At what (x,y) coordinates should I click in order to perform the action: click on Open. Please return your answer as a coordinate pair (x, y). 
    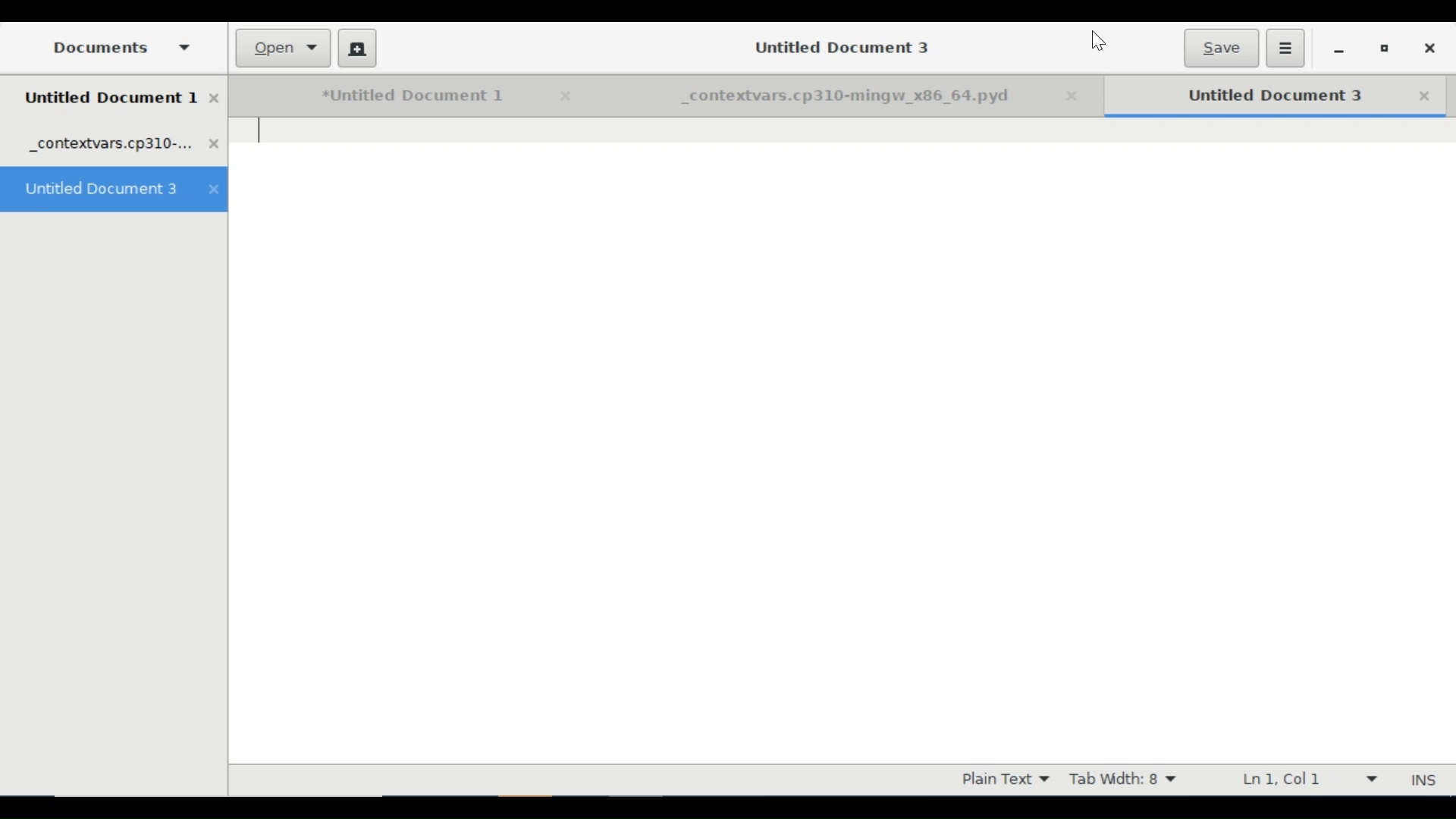
    Looking at the image, I should click on (284, 49).